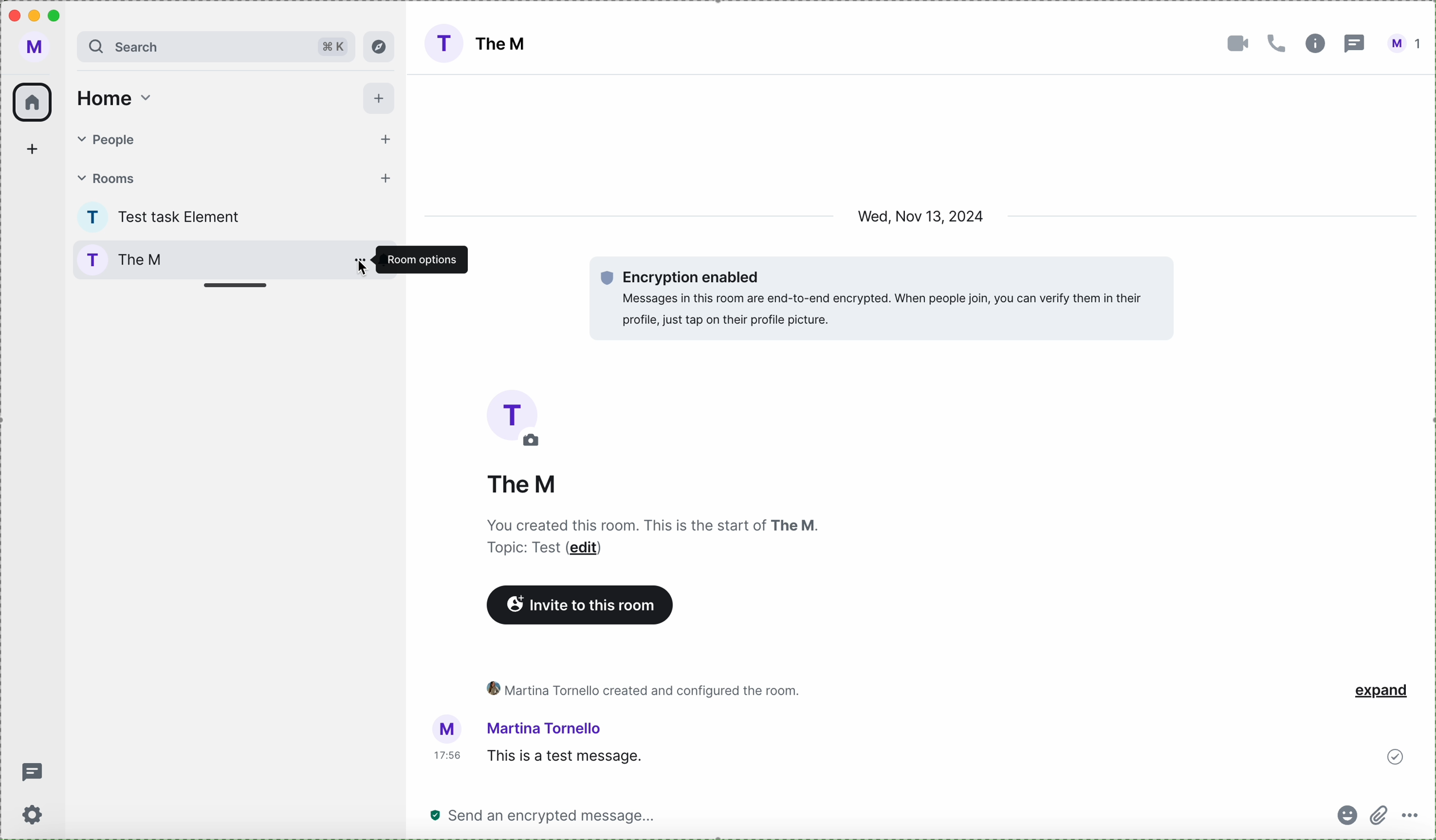  I want to click on edit, so click(590, 549).